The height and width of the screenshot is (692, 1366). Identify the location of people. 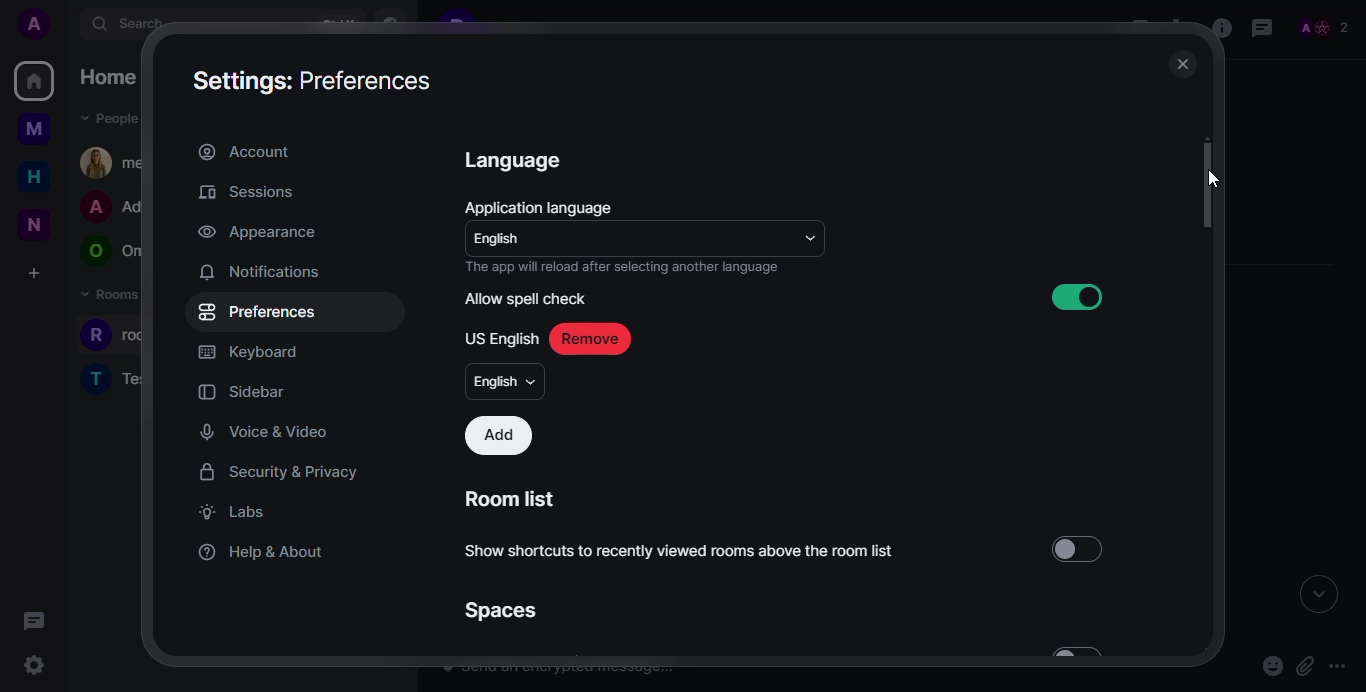
(1322, 25).